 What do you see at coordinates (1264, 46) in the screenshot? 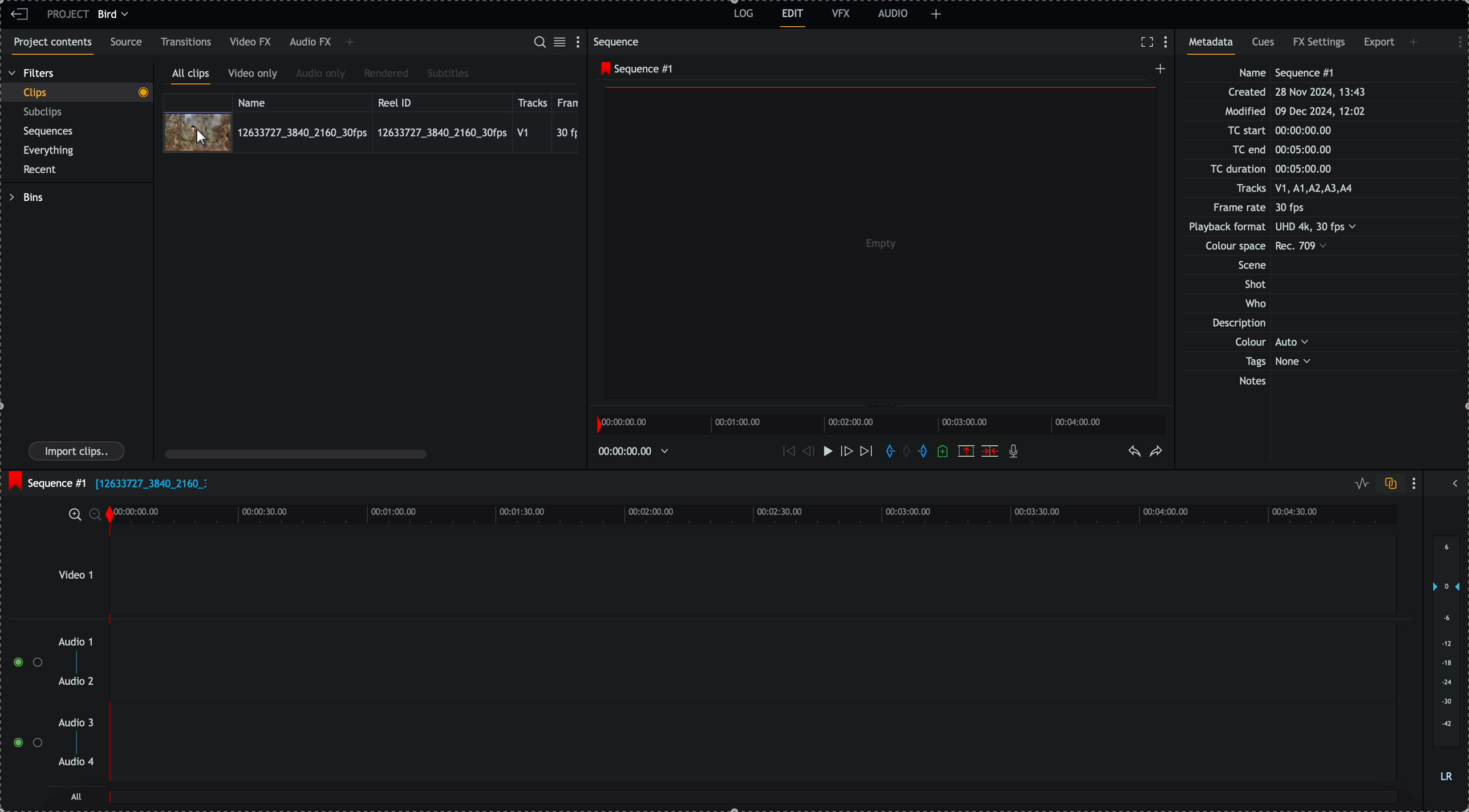
I see `cues` at bounding box center [1264, 46].